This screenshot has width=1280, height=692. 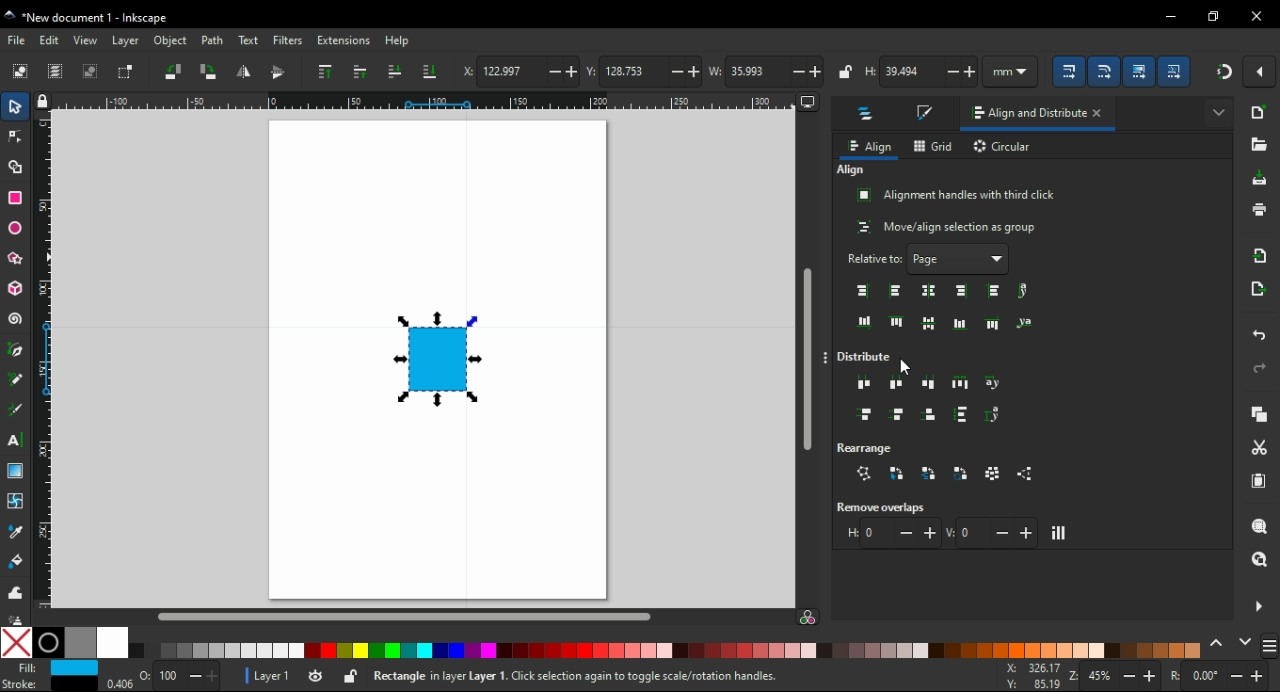 What do you see at coordinates (1170, 14) in the screenshot?
I see `minimize` at bounding box center [1170, 14].